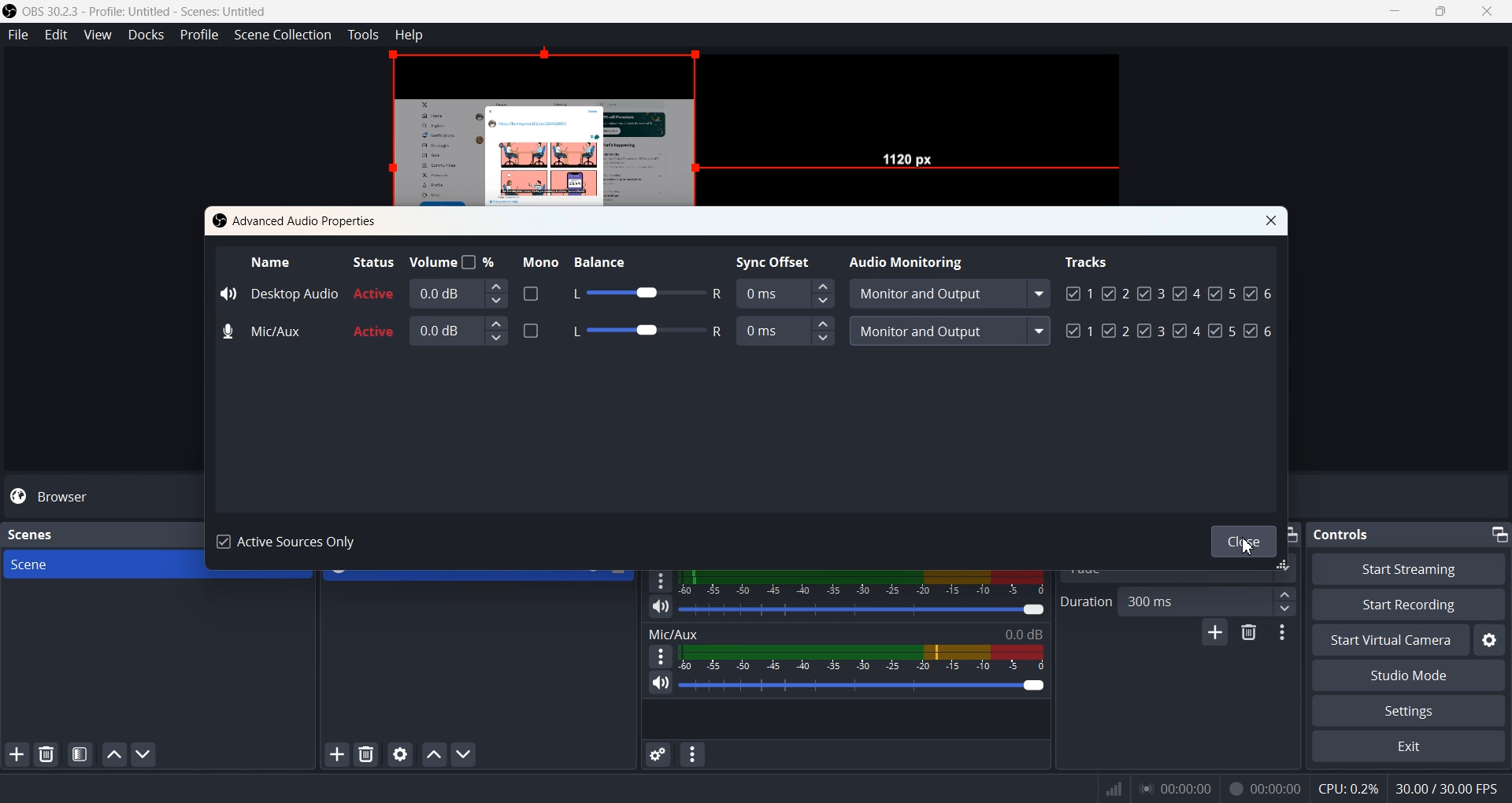  Describe the element at coordinates (661, 606) in the screenshot. I see `Mute / Unmute` at that location.